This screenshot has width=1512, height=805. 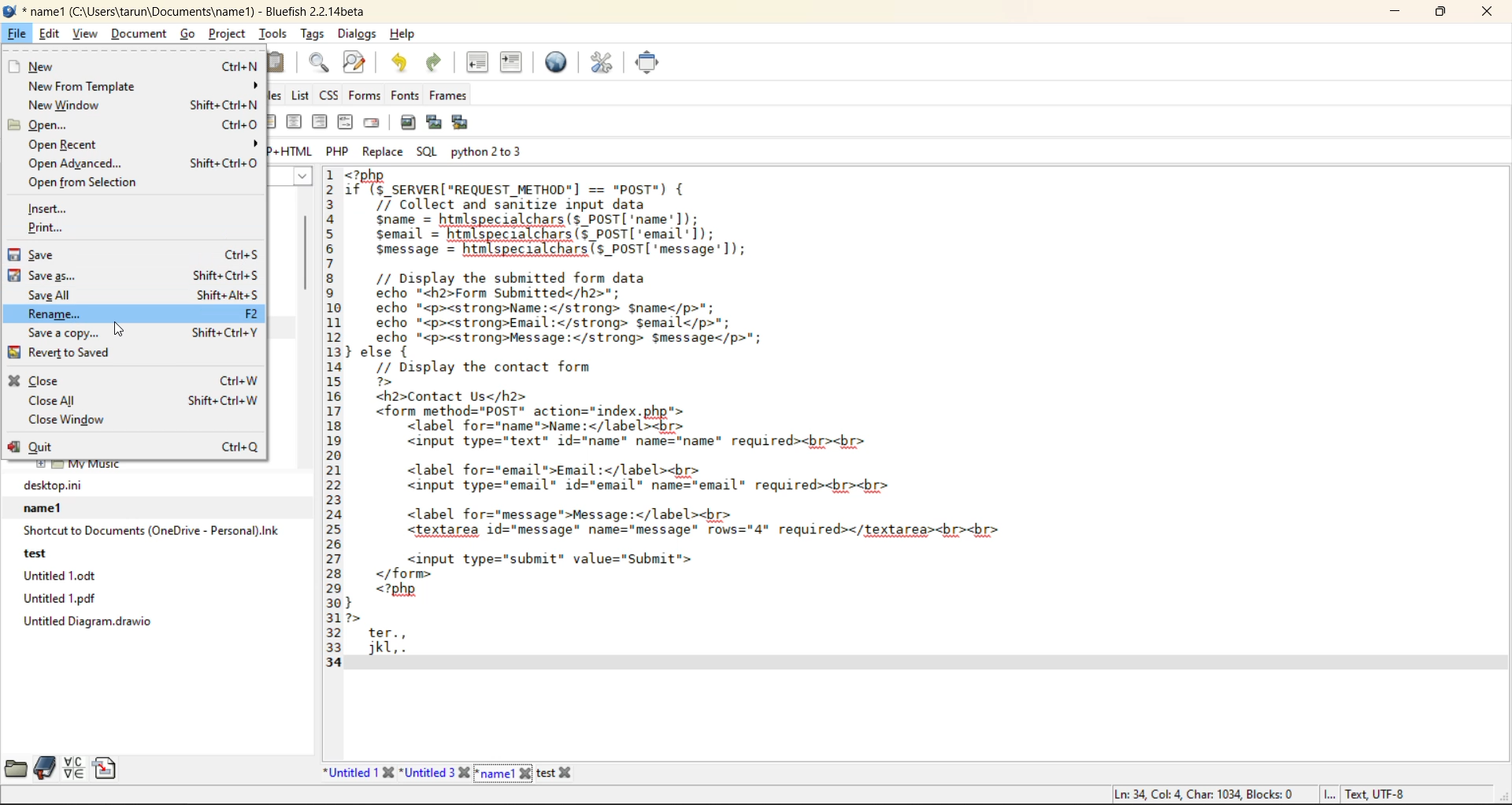 I want to click on go, so click(x=187, y=35).